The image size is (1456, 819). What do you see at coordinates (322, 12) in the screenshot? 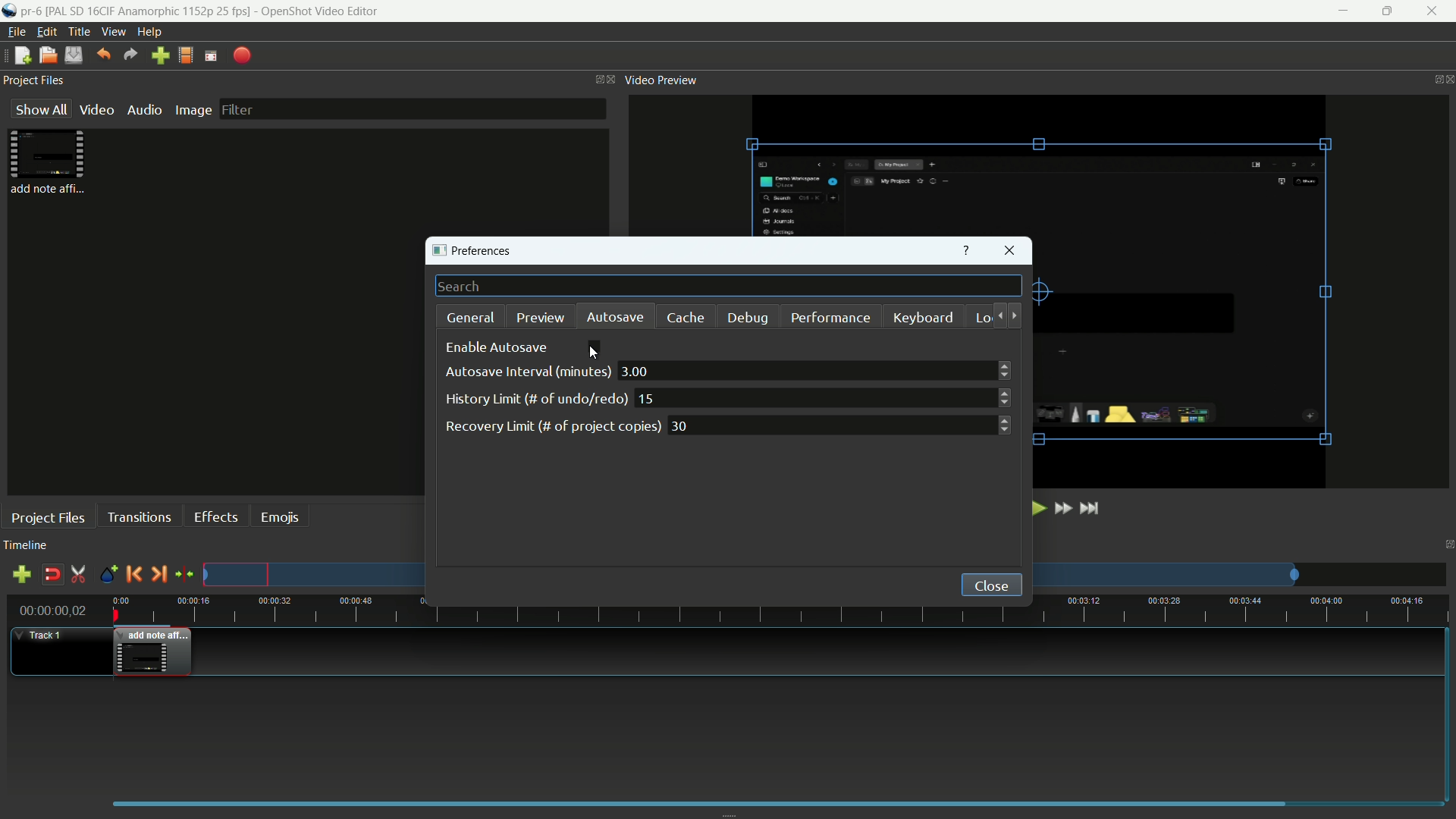
I see `app name` at bounding box center [322, 12].